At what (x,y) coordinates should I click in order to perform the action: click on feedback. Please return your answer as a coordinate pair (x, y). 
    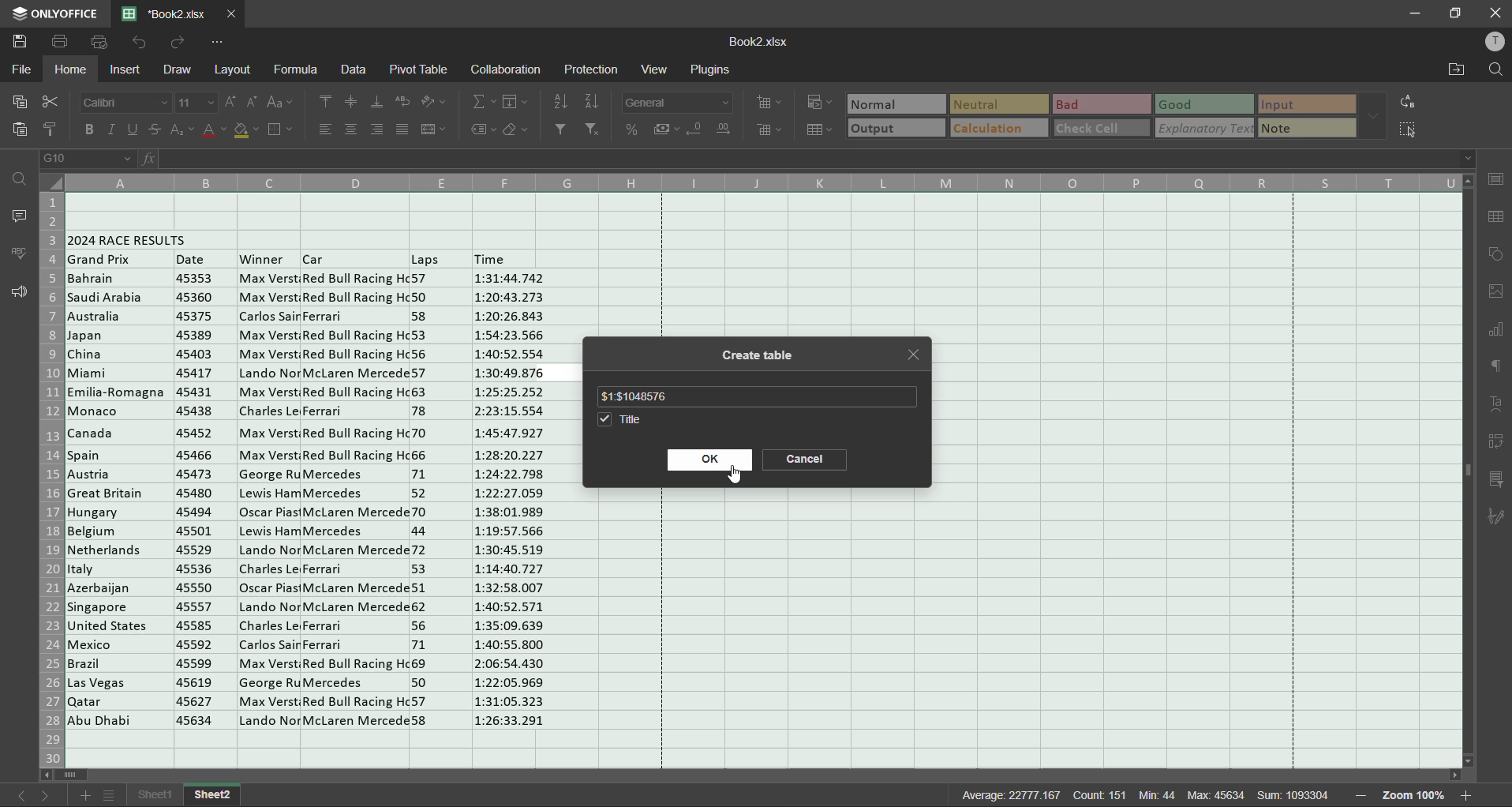
    Looking at the image, I should click on (18, 294).